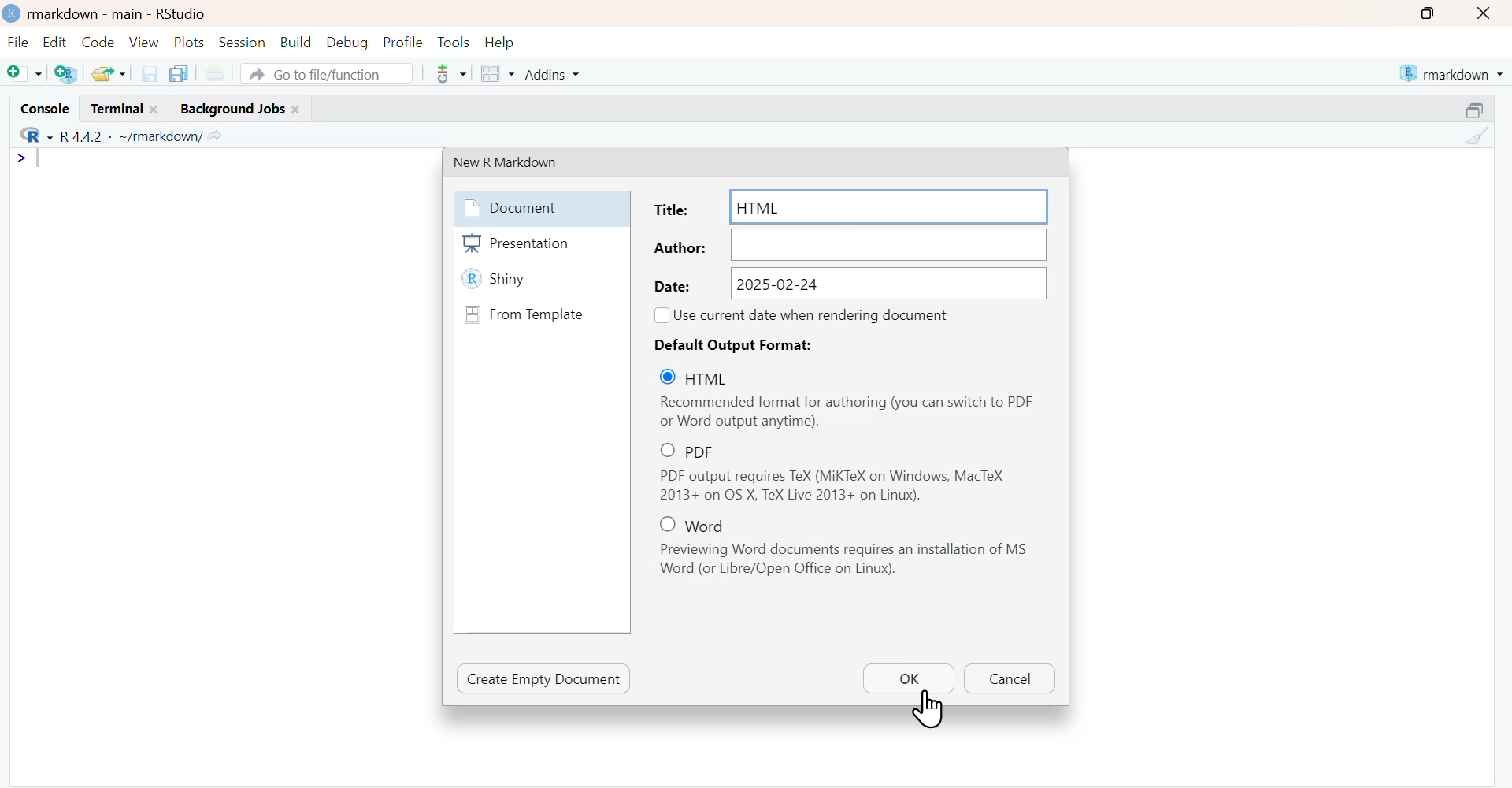  What do you see at coordinates (849, 283) in the screenshot?
I see `Date - 2025-02-24` at bounding box center [849, 283].